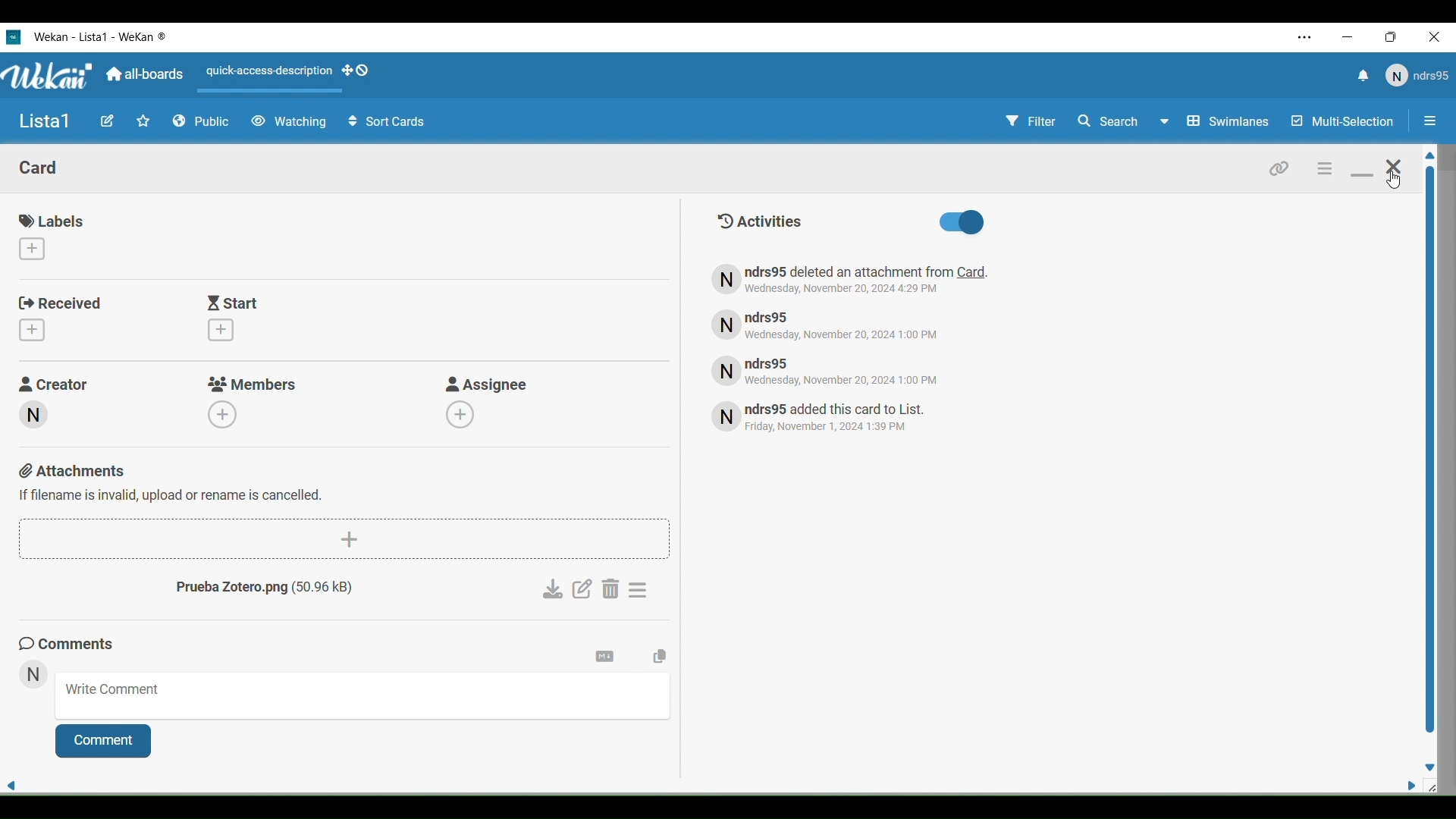 This screenshot has width=1456, height=819. I want to click on Link, so click(1279, 167).